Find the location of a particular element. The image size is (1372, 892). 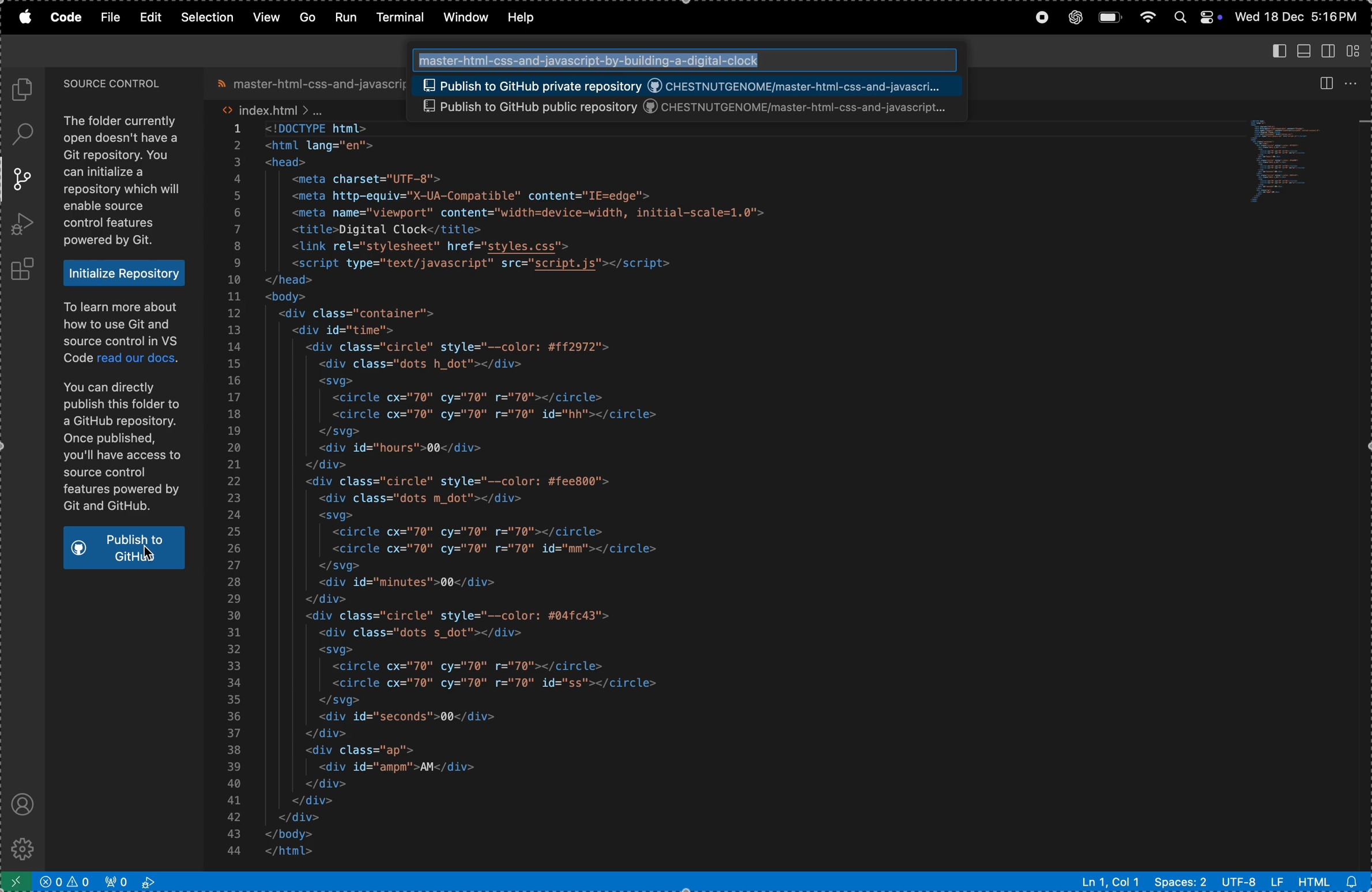

edit is located at coordinates (153, 17).